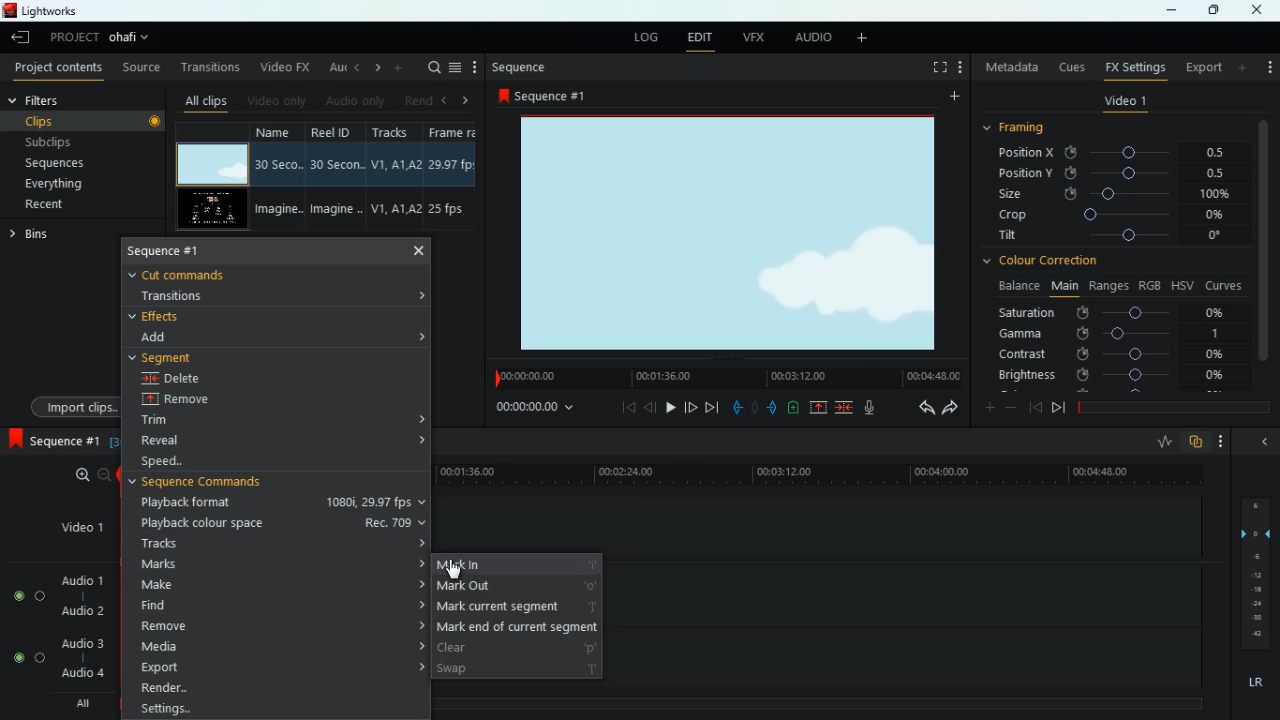 This screenshot has height=720, width=1280. Describe the element at coordinates (1211, 11) in the screenshot. I see `maximize` at that location.